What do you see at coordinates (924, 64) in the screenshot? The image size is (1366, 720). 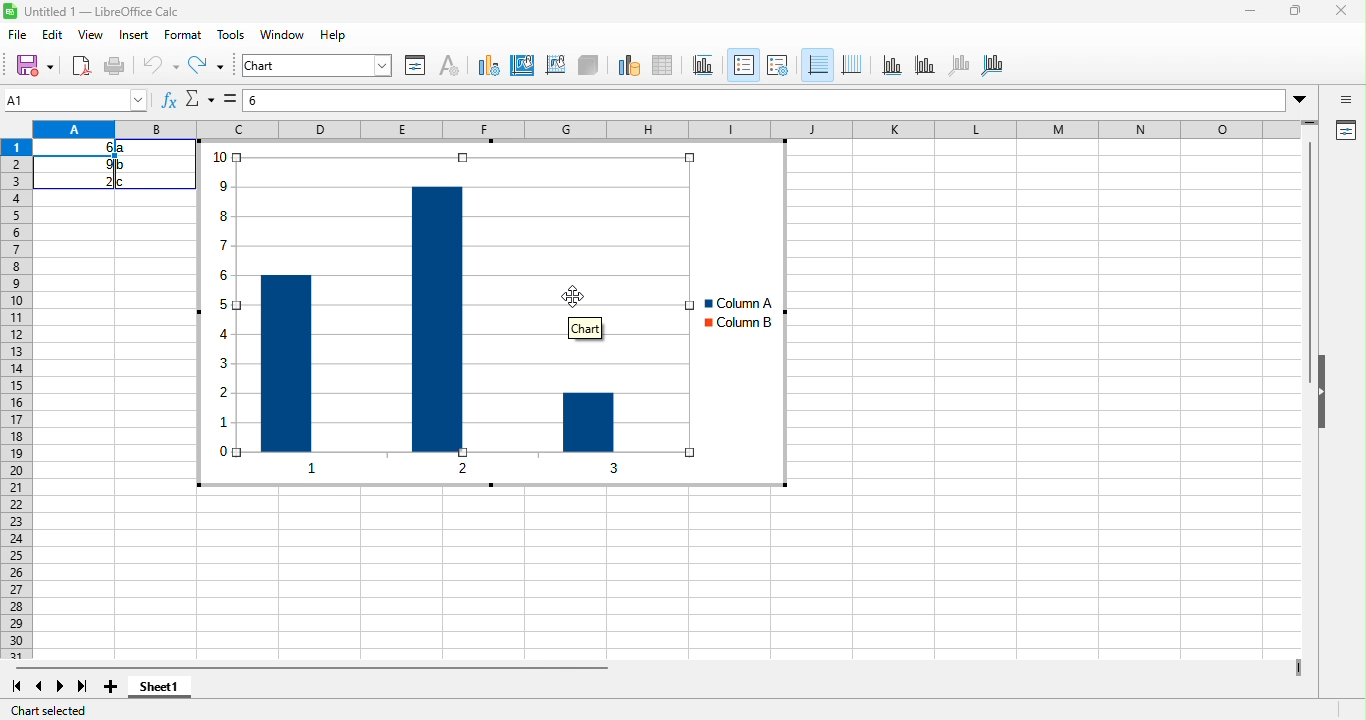 I see `y axis` at bounding box center [924, 64].